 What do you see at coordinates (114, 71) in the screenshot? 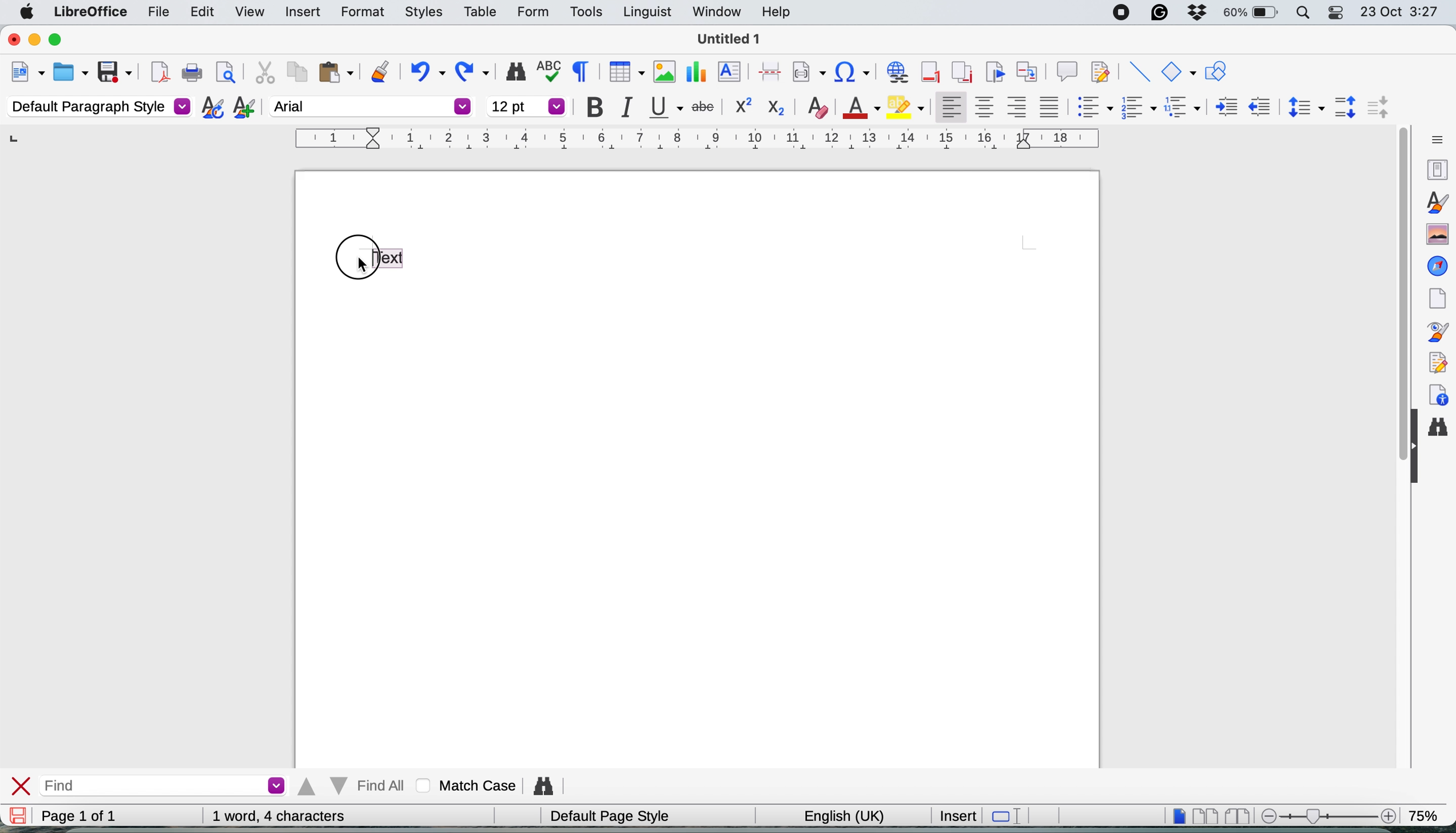
I see `save` at bounding box center [114, 71].